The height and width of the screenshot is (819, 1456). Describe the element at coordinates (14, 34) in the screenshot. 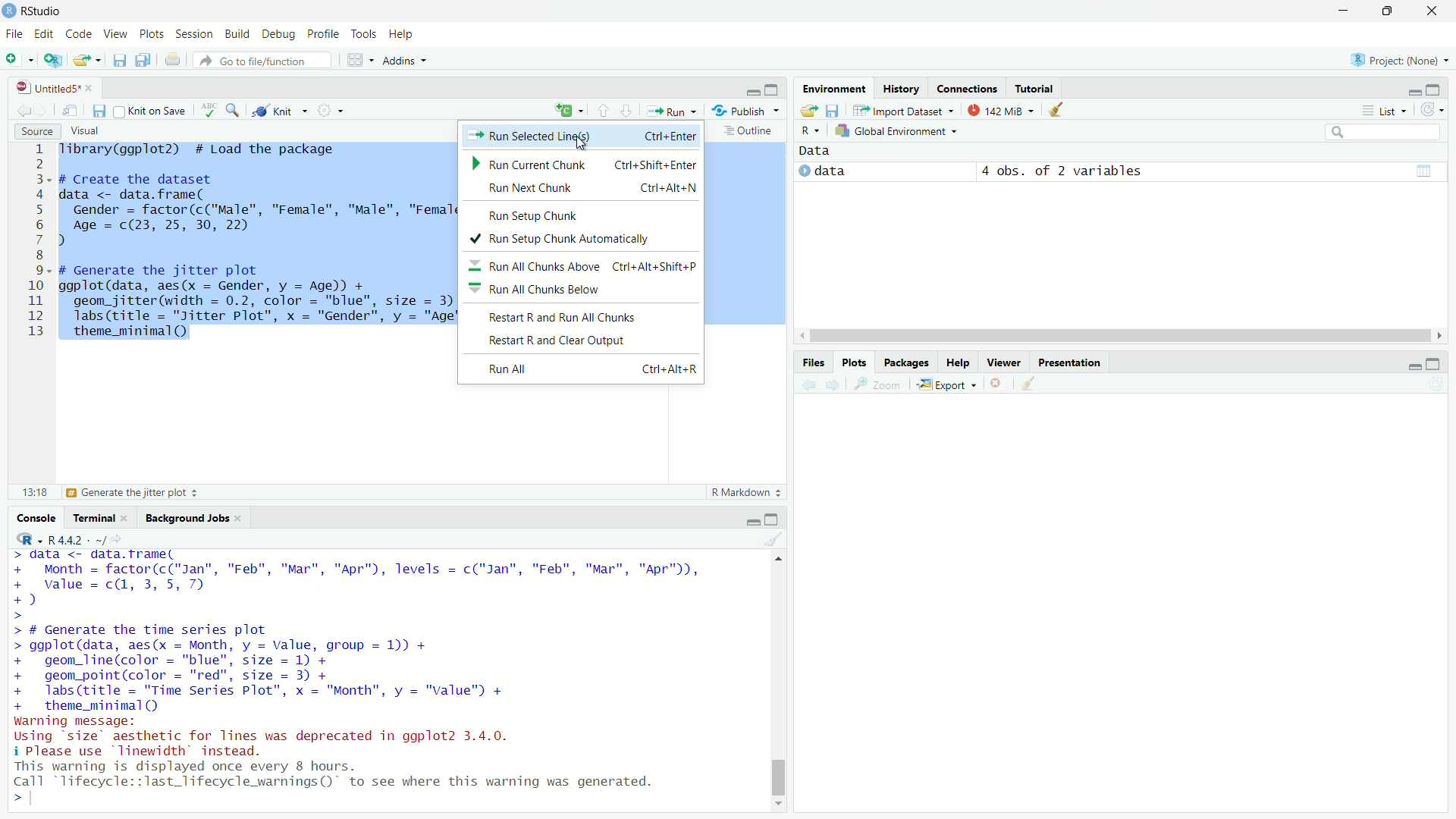

I see `file` at that location.